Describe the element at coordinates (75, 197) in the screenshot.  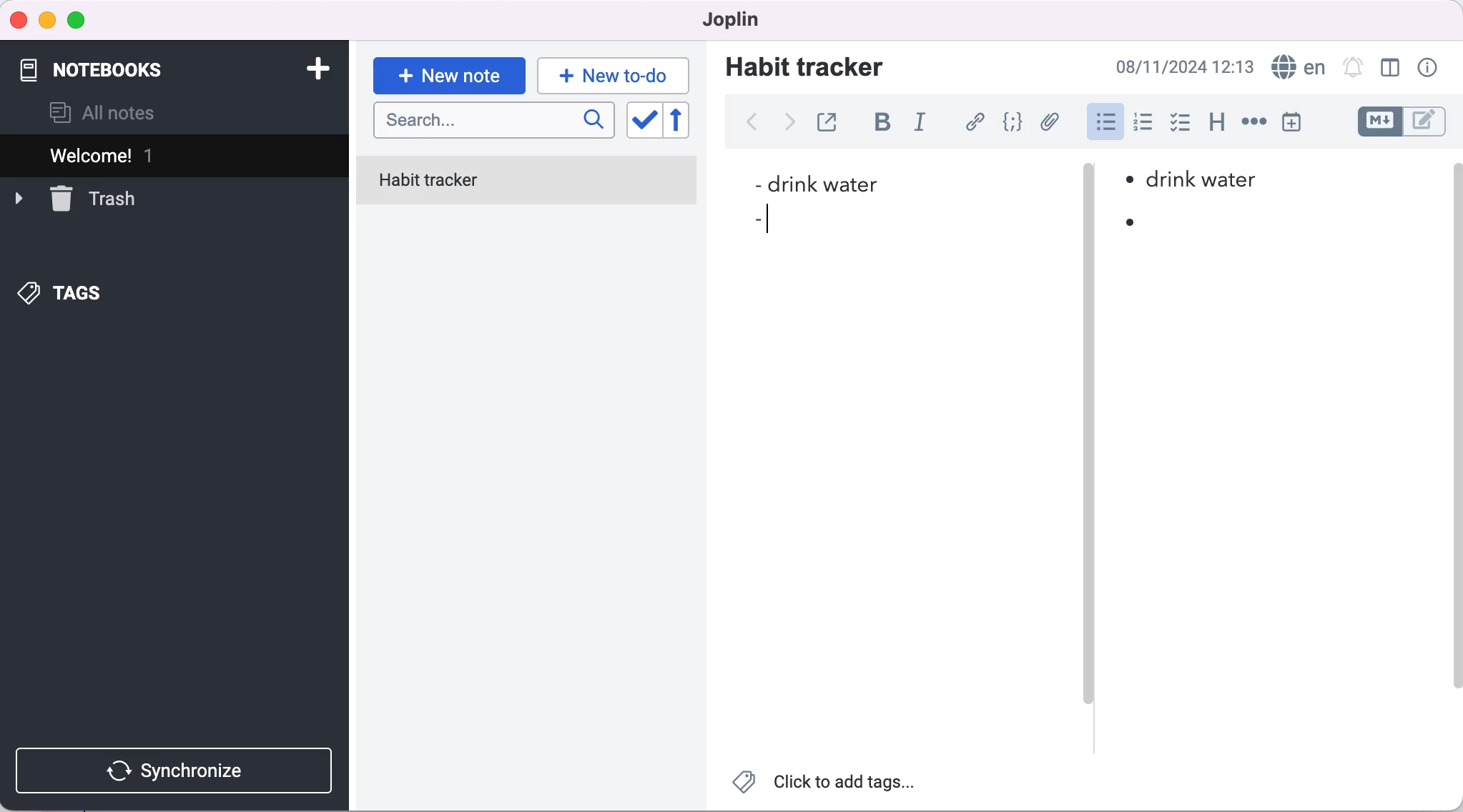
I see `trash` at that location.